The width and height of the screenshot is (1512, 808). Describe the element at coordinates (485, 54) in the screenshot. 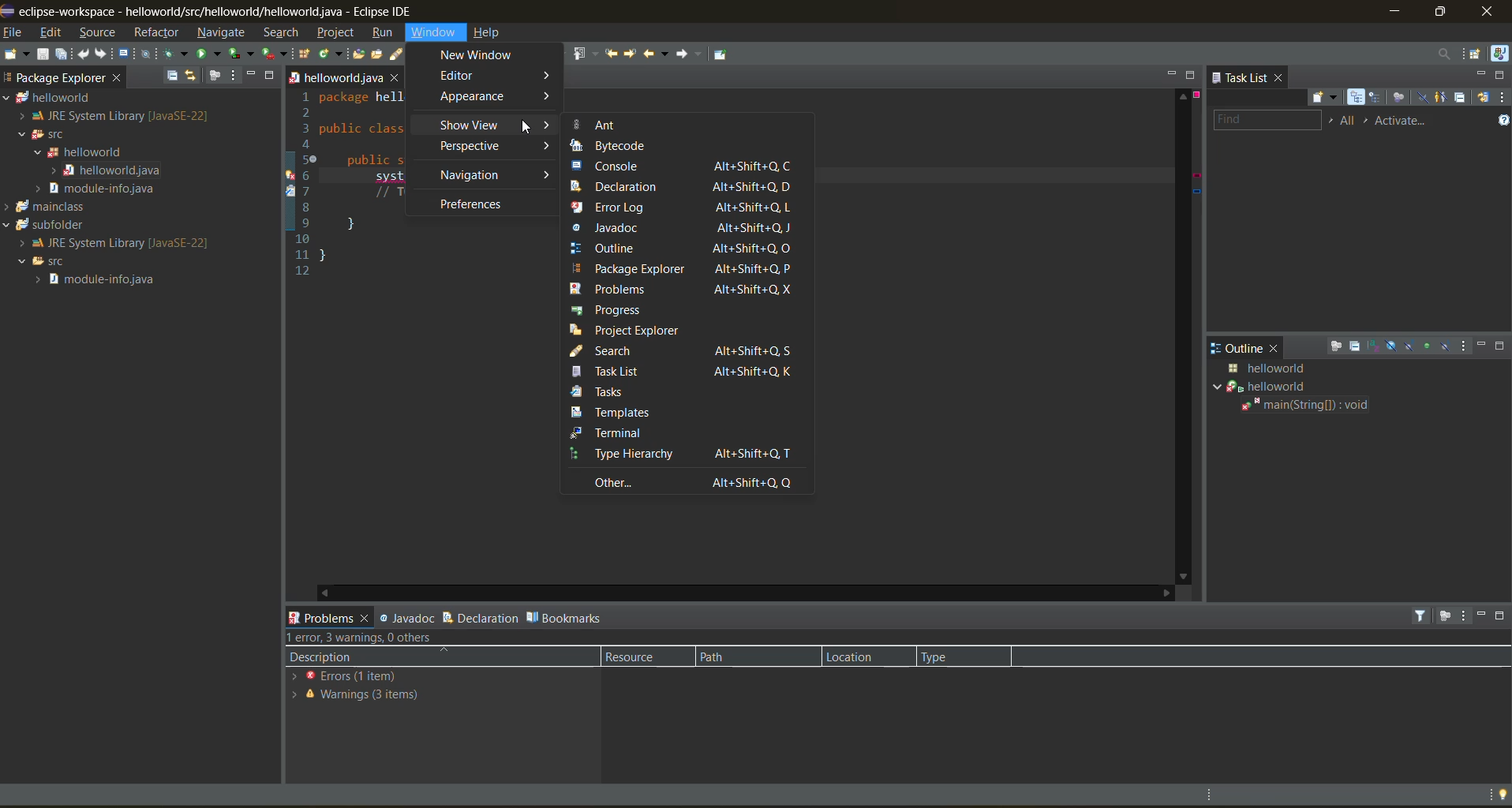

I see `toggle word wrap` at that location.